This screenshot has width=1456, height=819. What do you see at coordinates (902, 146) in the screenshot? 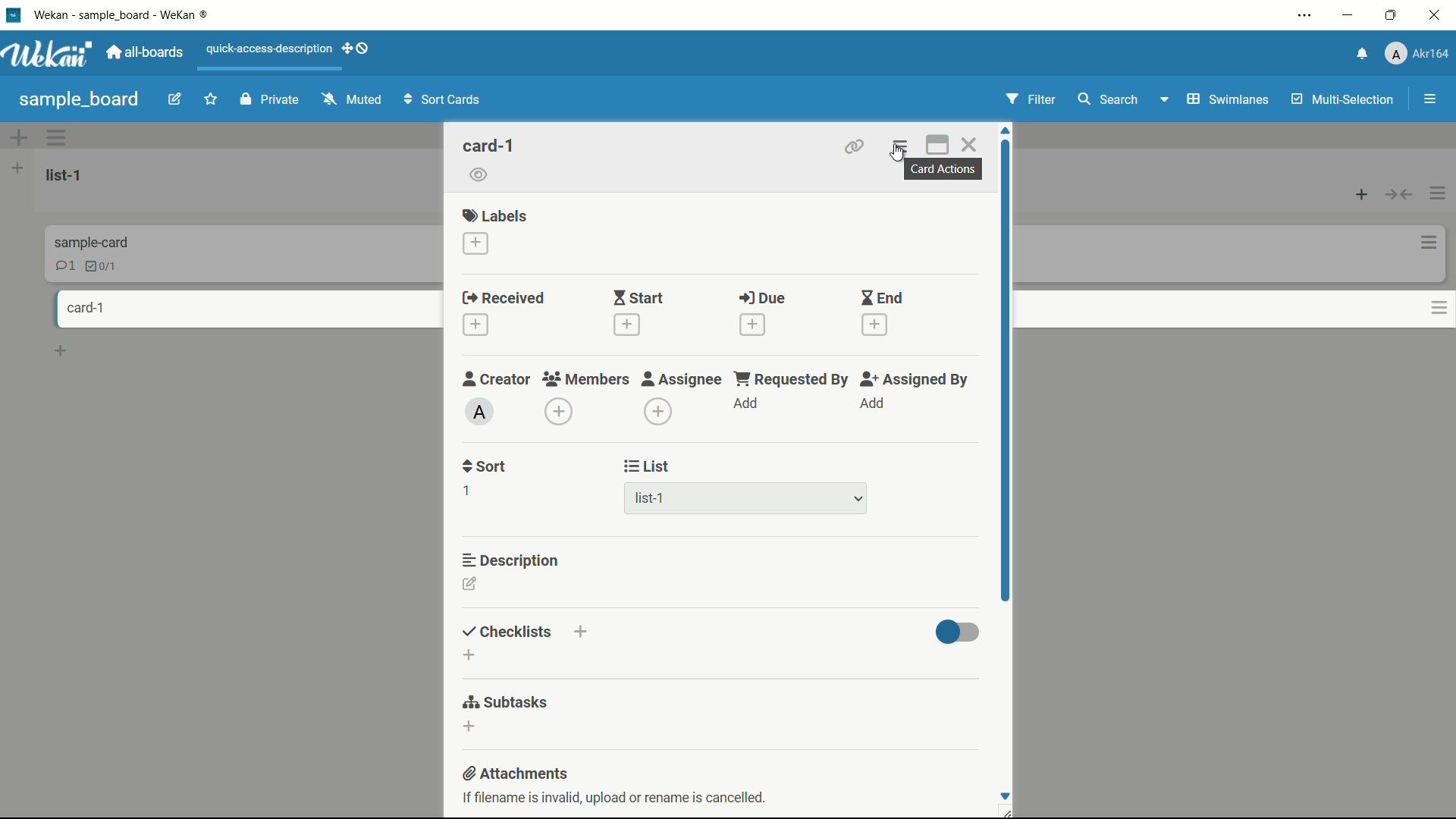
I see `card actions` at bounding box center [902, 146].